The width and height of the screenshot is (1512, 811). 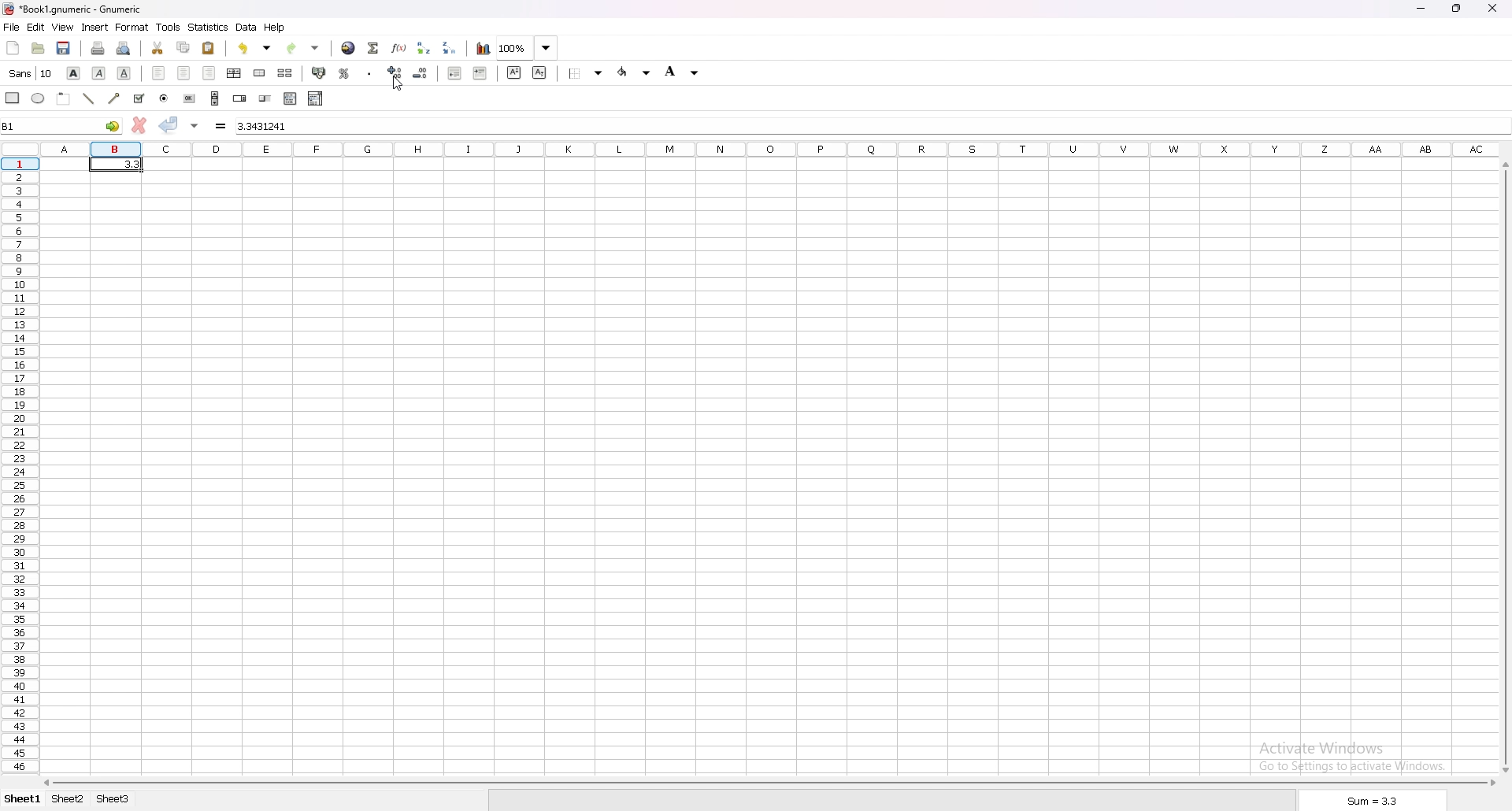 I want to click on subscript, so click(x=539, y=73).